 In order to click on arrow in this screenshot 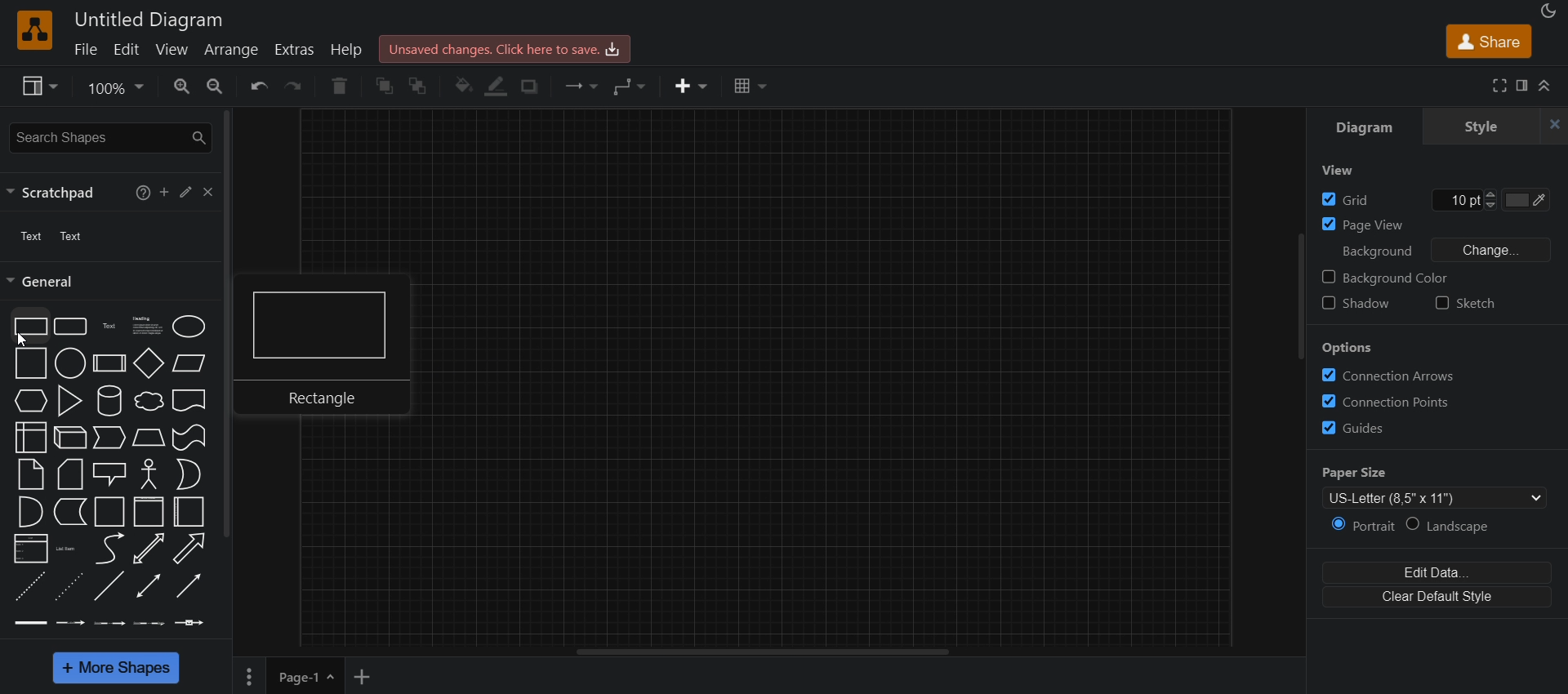, I will do `click(188, 549)`.